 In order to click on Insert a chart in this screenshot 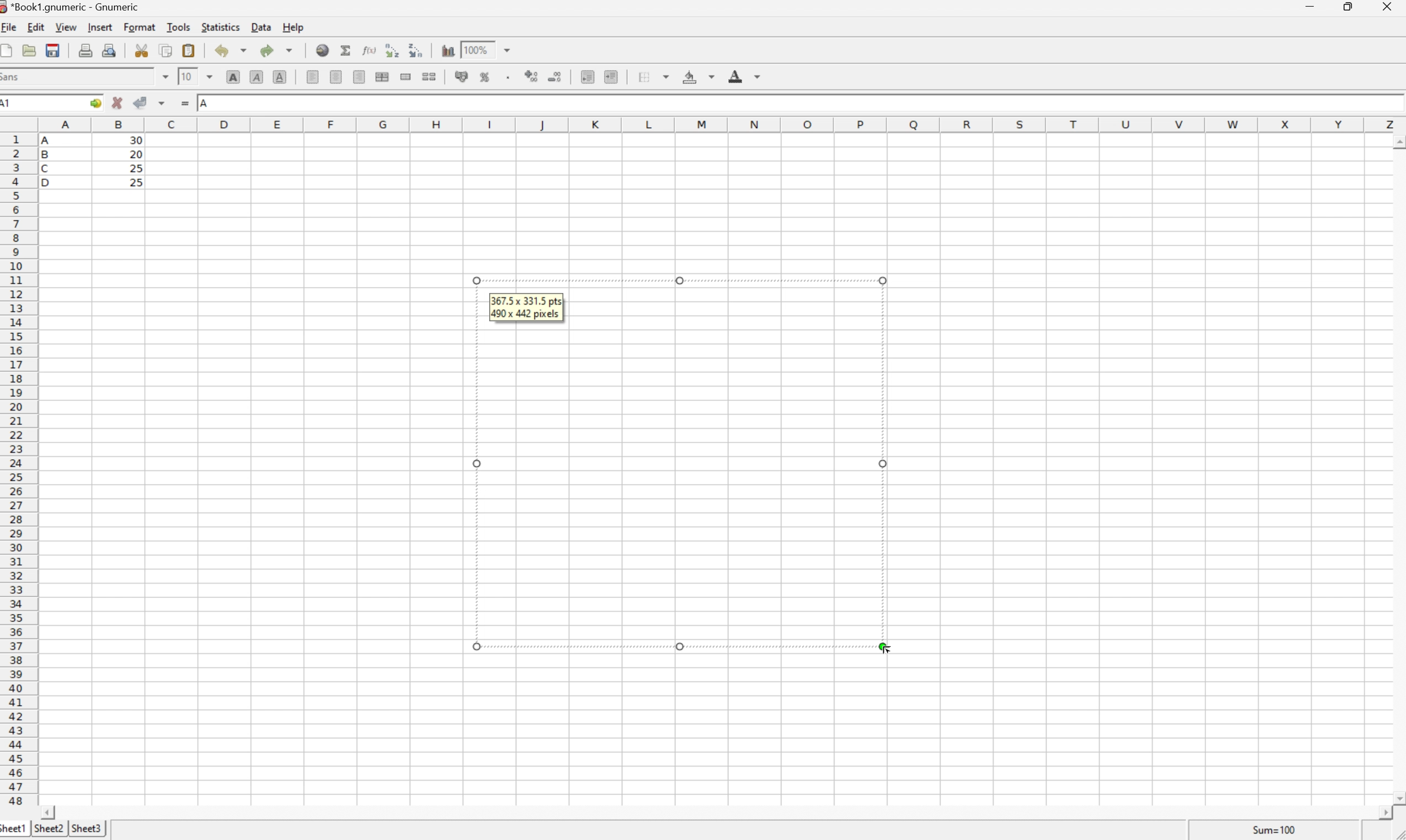, I will do `click(447, 48)`.